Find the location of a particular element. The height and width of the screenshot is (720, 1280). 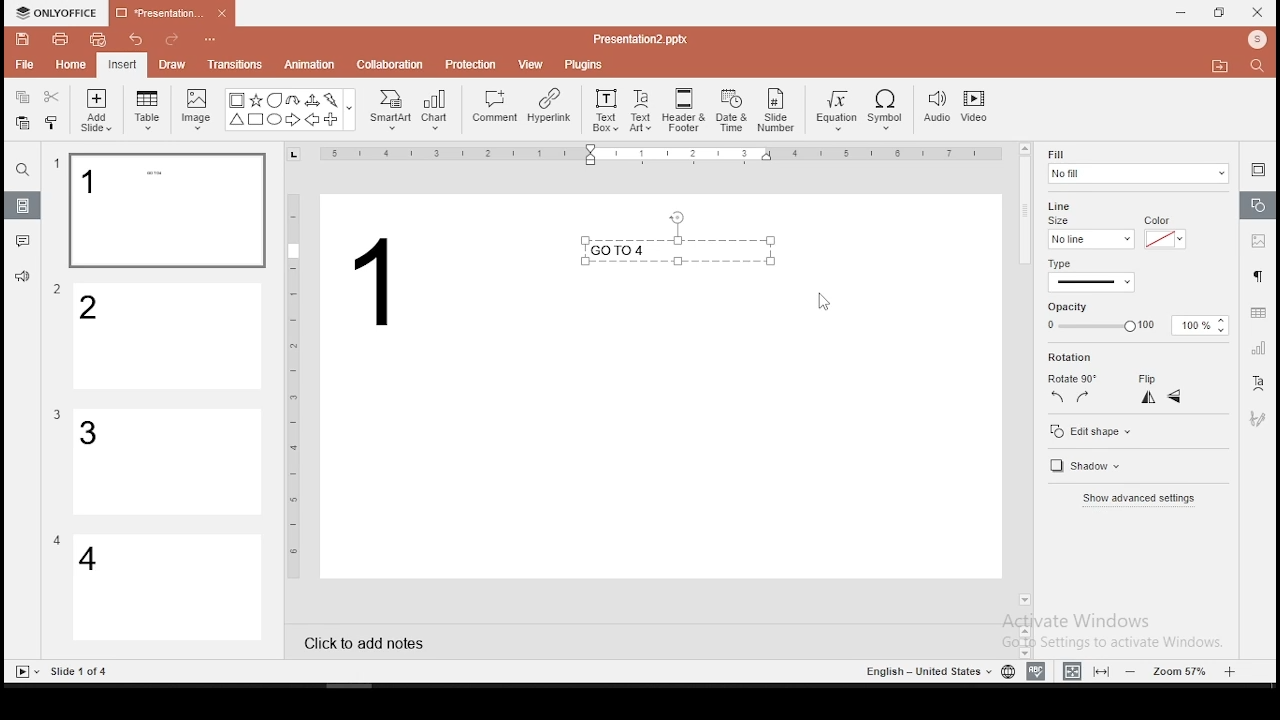

comment is located at coordinates (495, 107).